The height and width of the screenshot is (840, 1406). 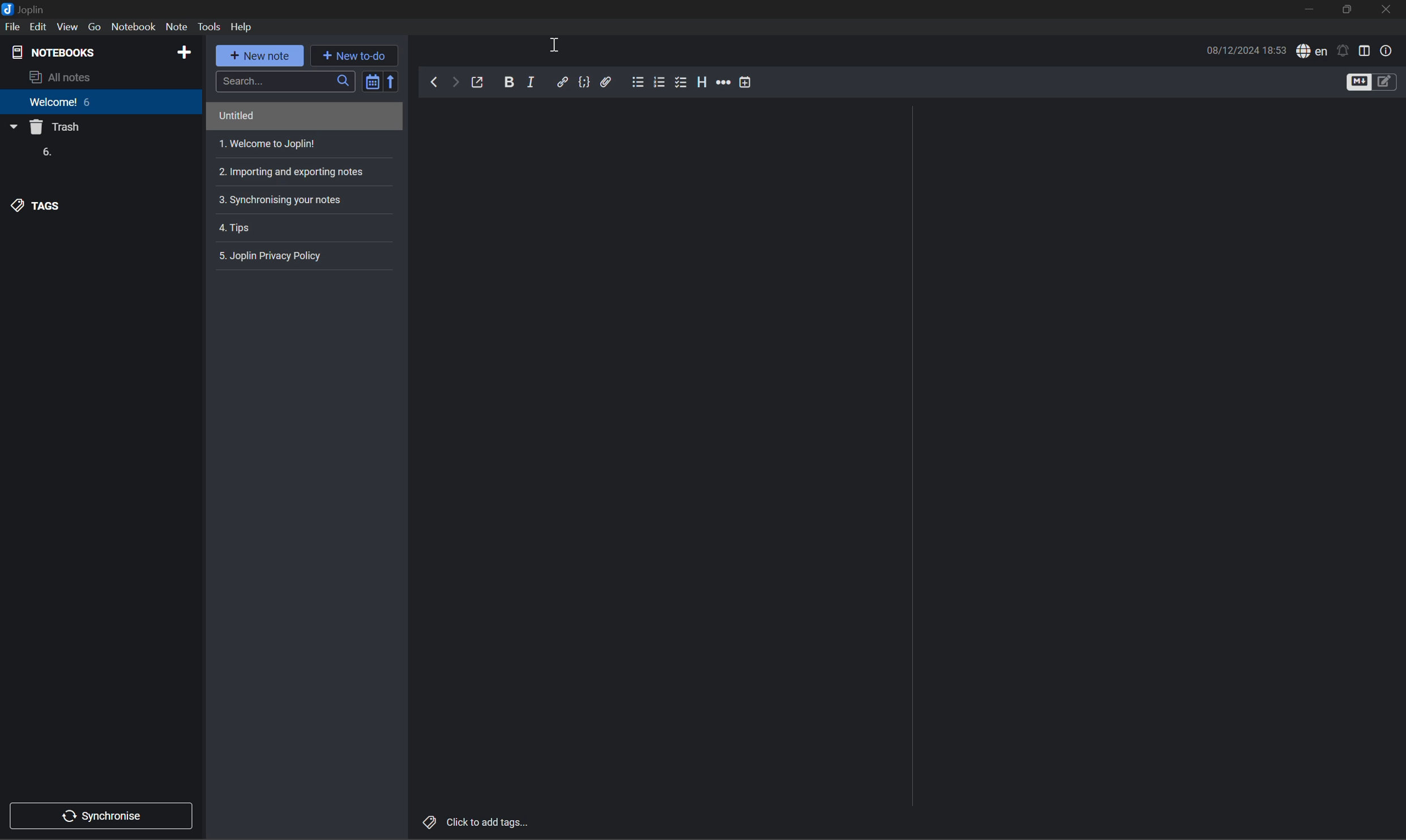 What do you see at coordinates (55, 50) in the screenshot?
I see `NOTEBOOKS` at bounding box center [55, 50].